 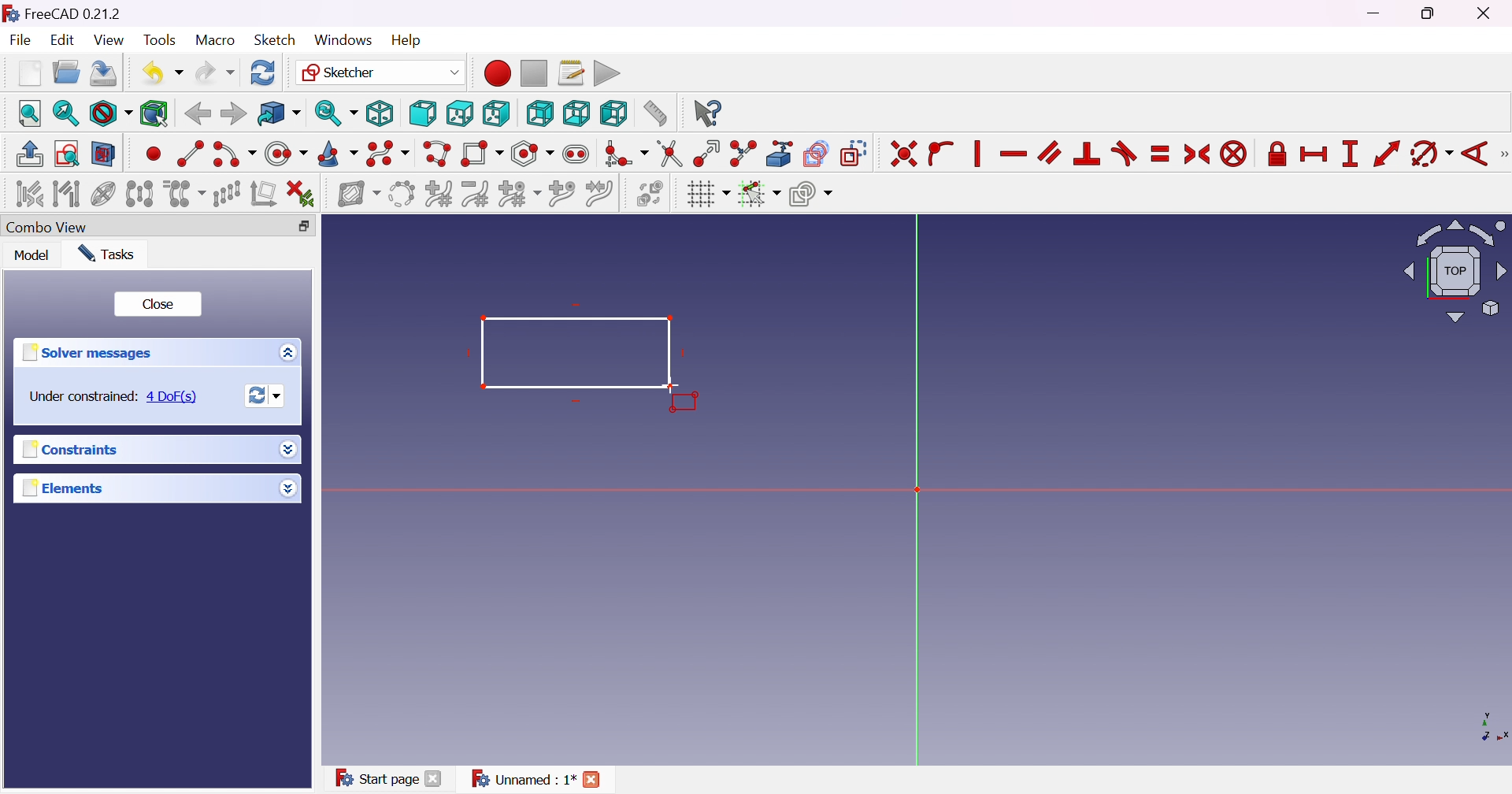 What do you see at coordinates (110, 40) in the screenshot?
I see `View` at bounding box center [110, 40].